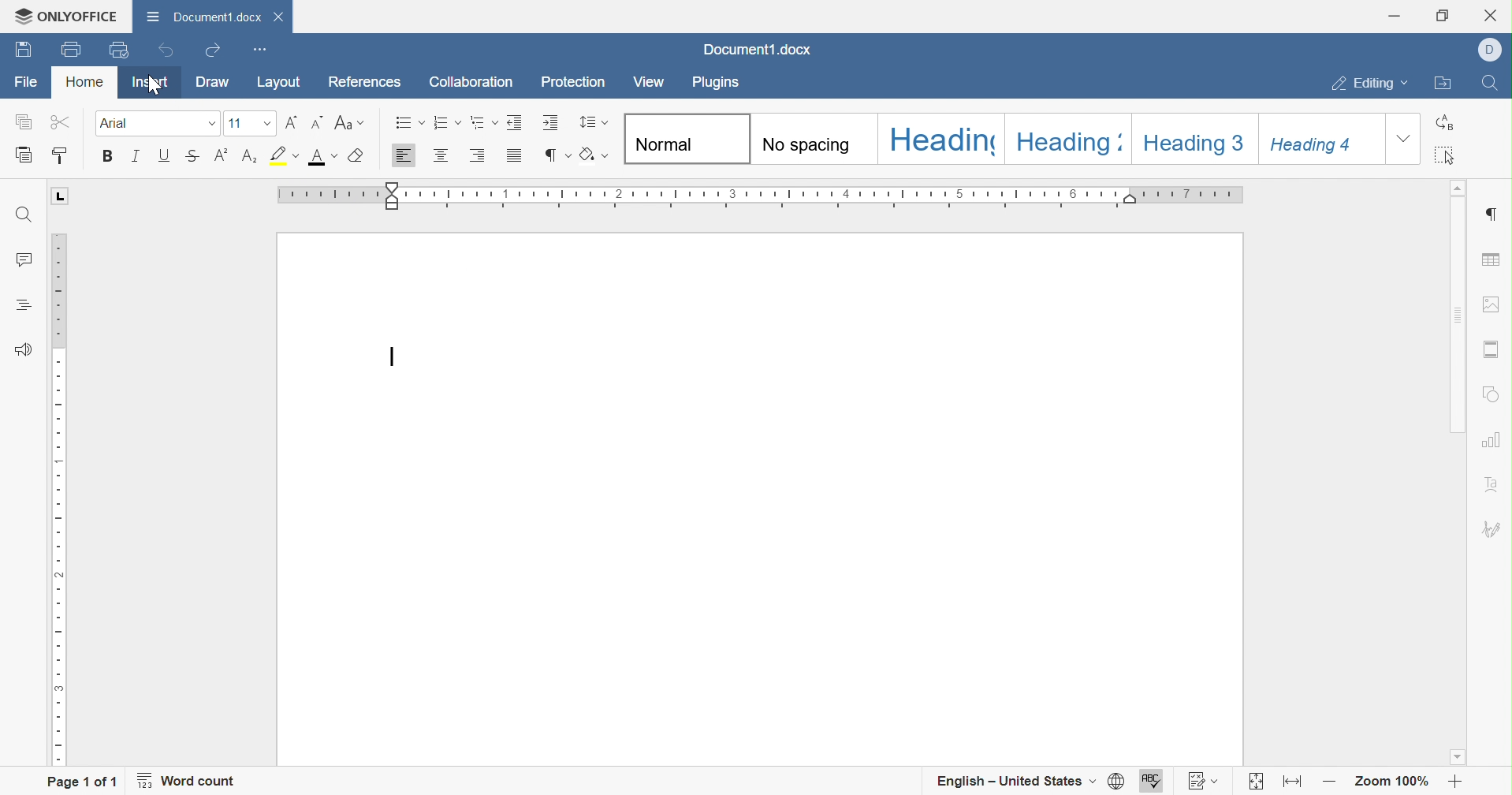 Image resolution: width=1512 pixels, height=795 pixels. I want to click on Font size, so click(248, 121).